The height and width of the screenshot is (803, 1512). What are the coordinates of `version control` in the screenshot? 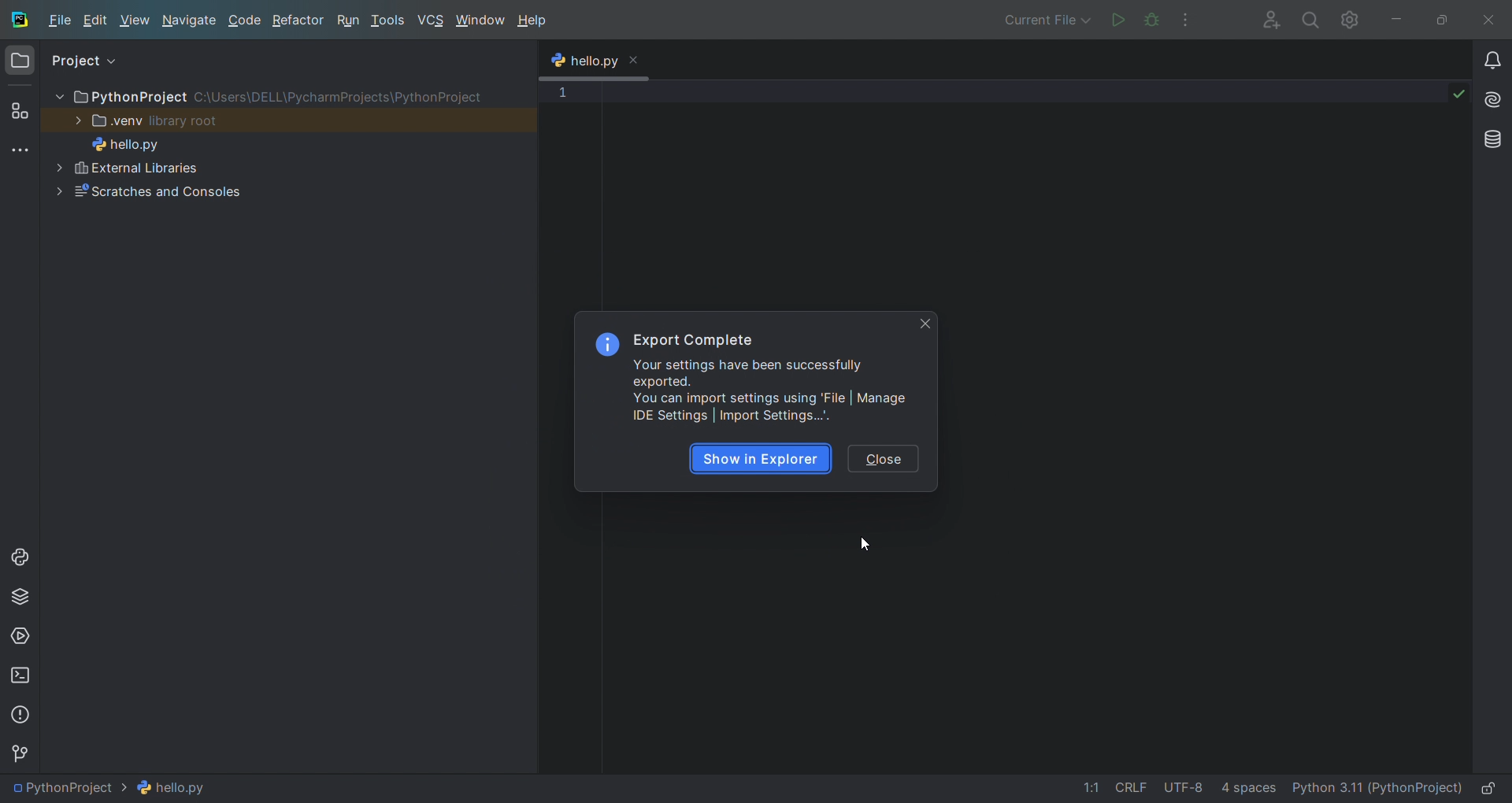 It's located at (27, 757).